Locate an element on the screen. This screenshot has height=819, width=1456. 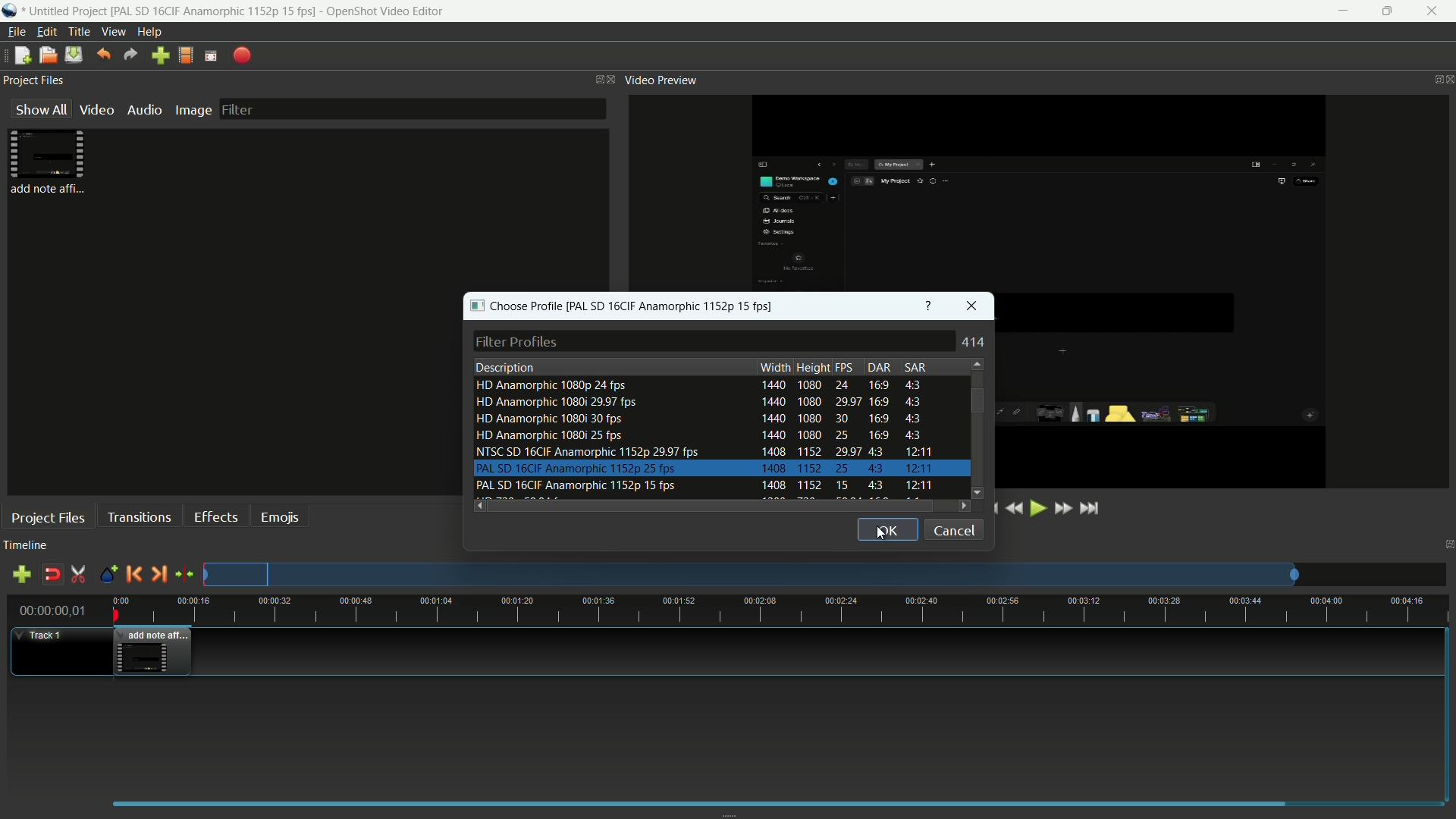
project name is located at coordinates (69, 11).